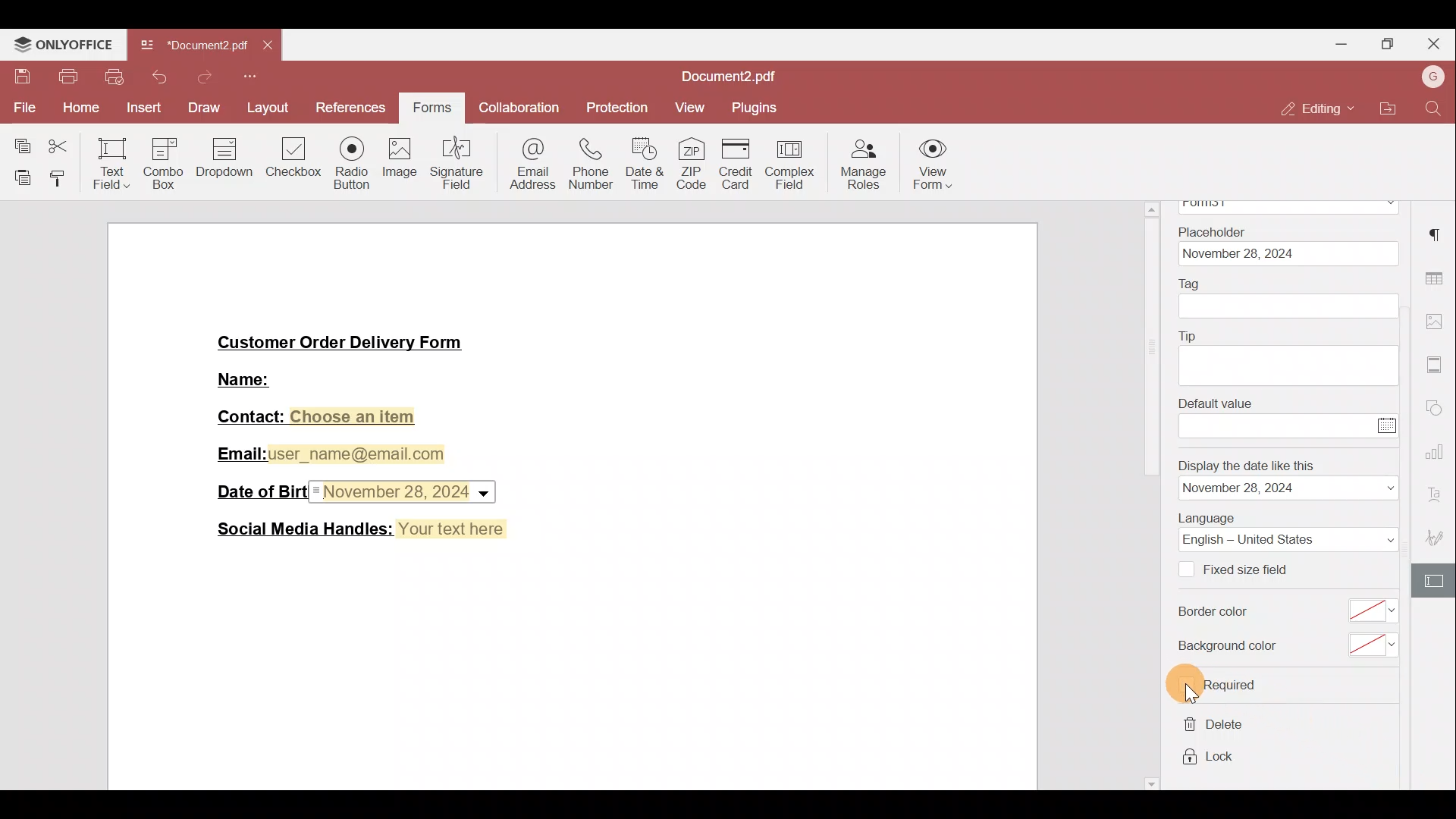  What do you see at coordinates (1207, 518) in the screenshot?
I see `Language` at bounding box center [1207, 518].